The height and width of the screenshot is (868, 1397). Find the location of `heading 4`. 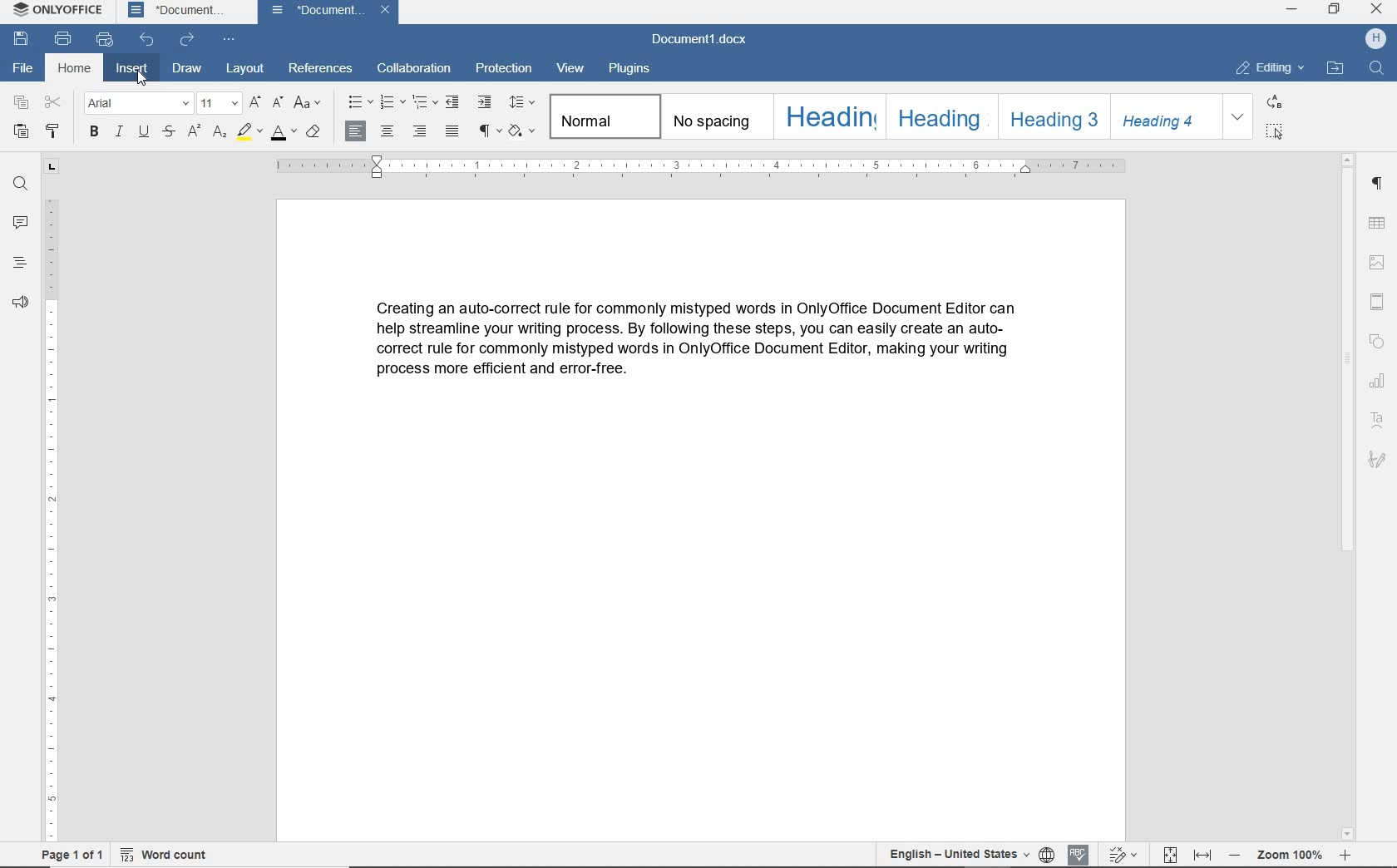

heading 4 is located at coordinates (1168, 116).